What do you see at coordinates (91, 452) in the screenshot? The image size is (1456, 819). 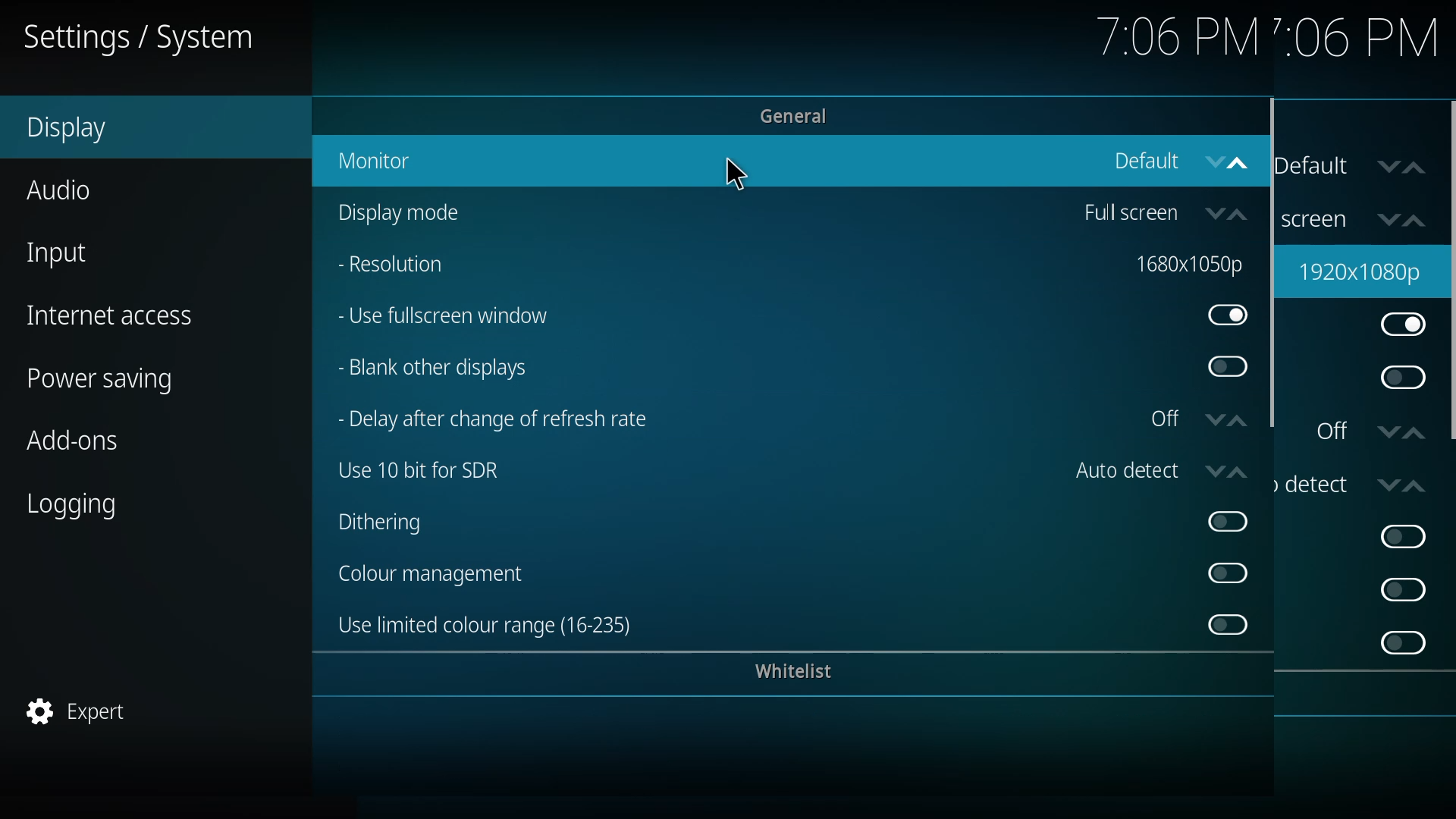 I see `add-ons` at bounding box center [91, 452].